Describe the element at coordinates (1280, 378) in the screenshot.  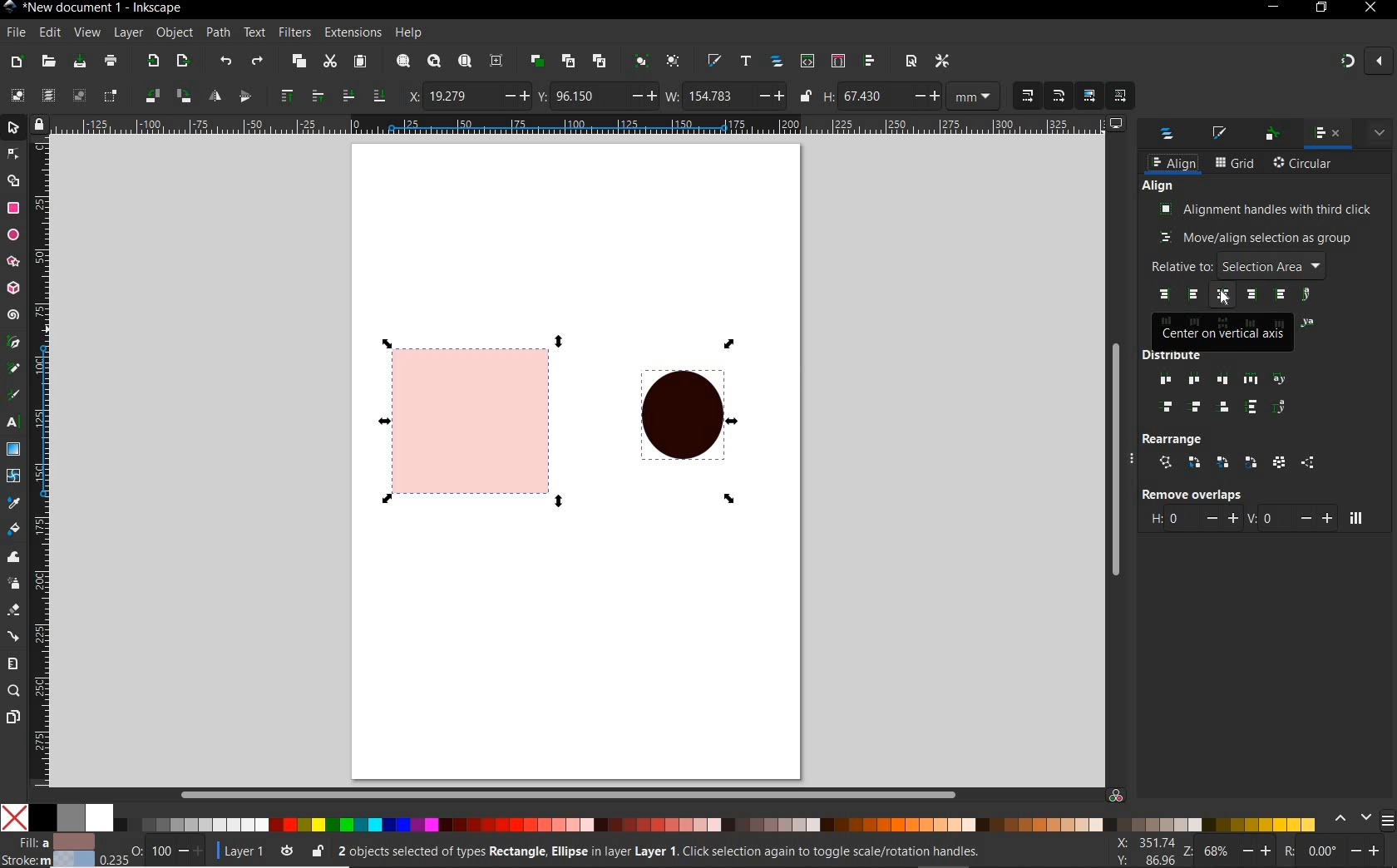
I see `DISTRIBUTE TEXT OBJECTS` at that location.